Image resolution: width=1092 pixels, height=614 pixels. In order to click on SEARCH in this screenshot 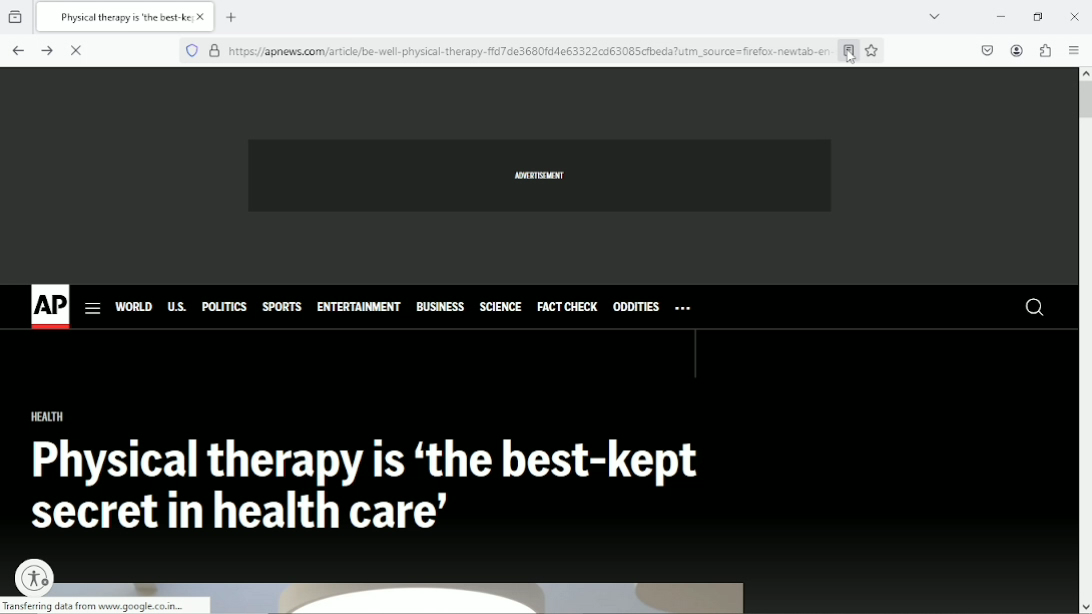, I will do `click(1026, 308)`.